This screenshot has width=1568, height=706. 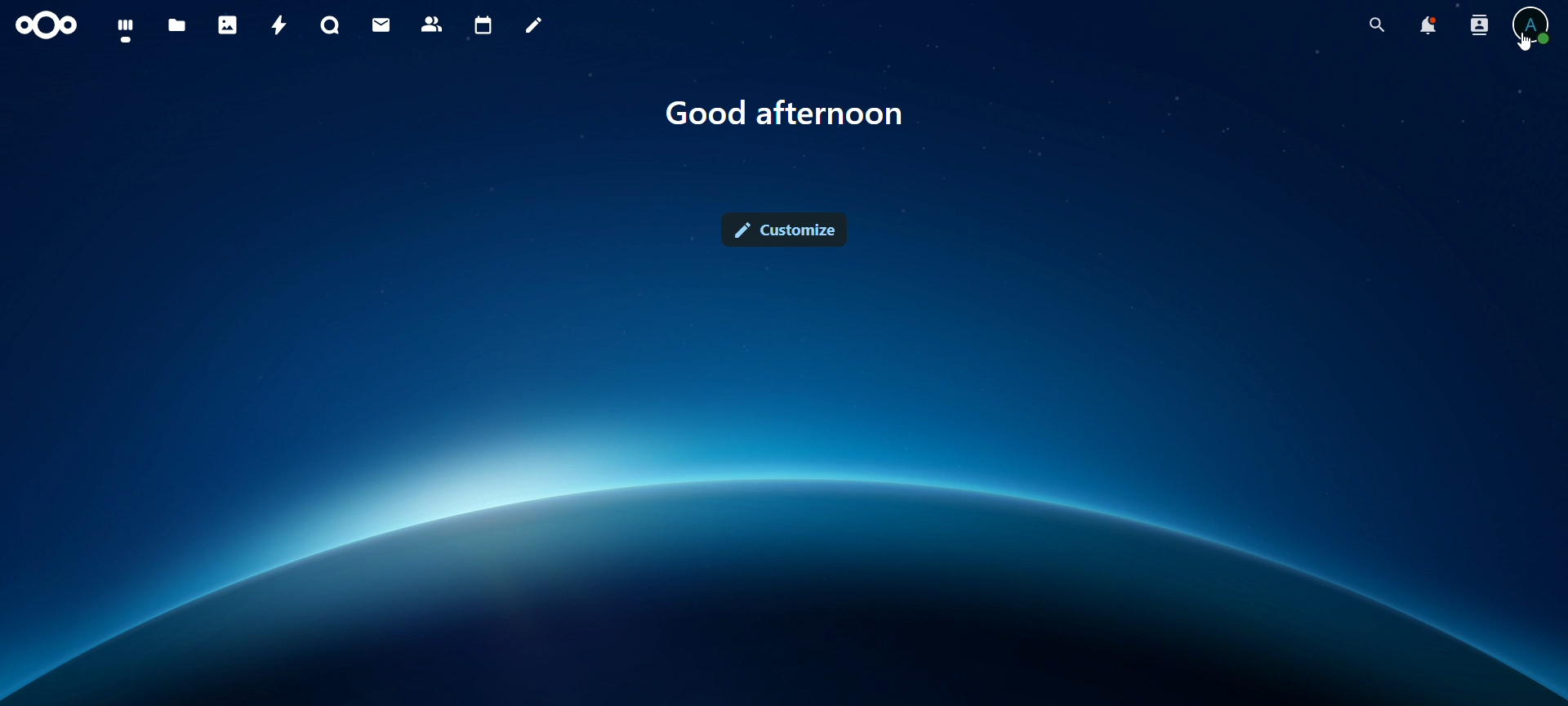 I want to click on text, so click(x=787, y=114).